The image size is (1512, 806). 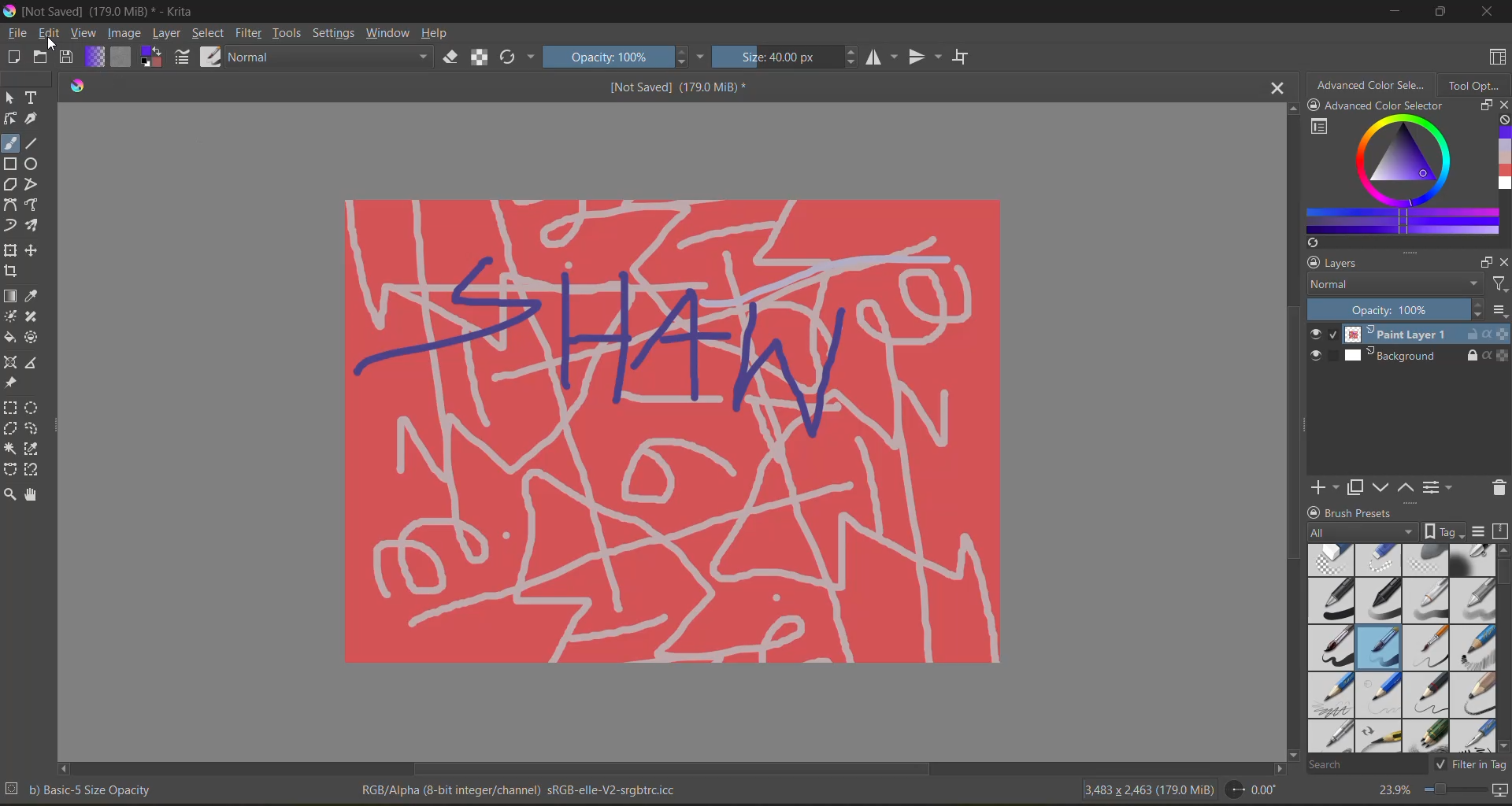 What do you see at coordinates (35, 250) in the screenshot?
I see `move a layer` at bounding box center [35, 250].